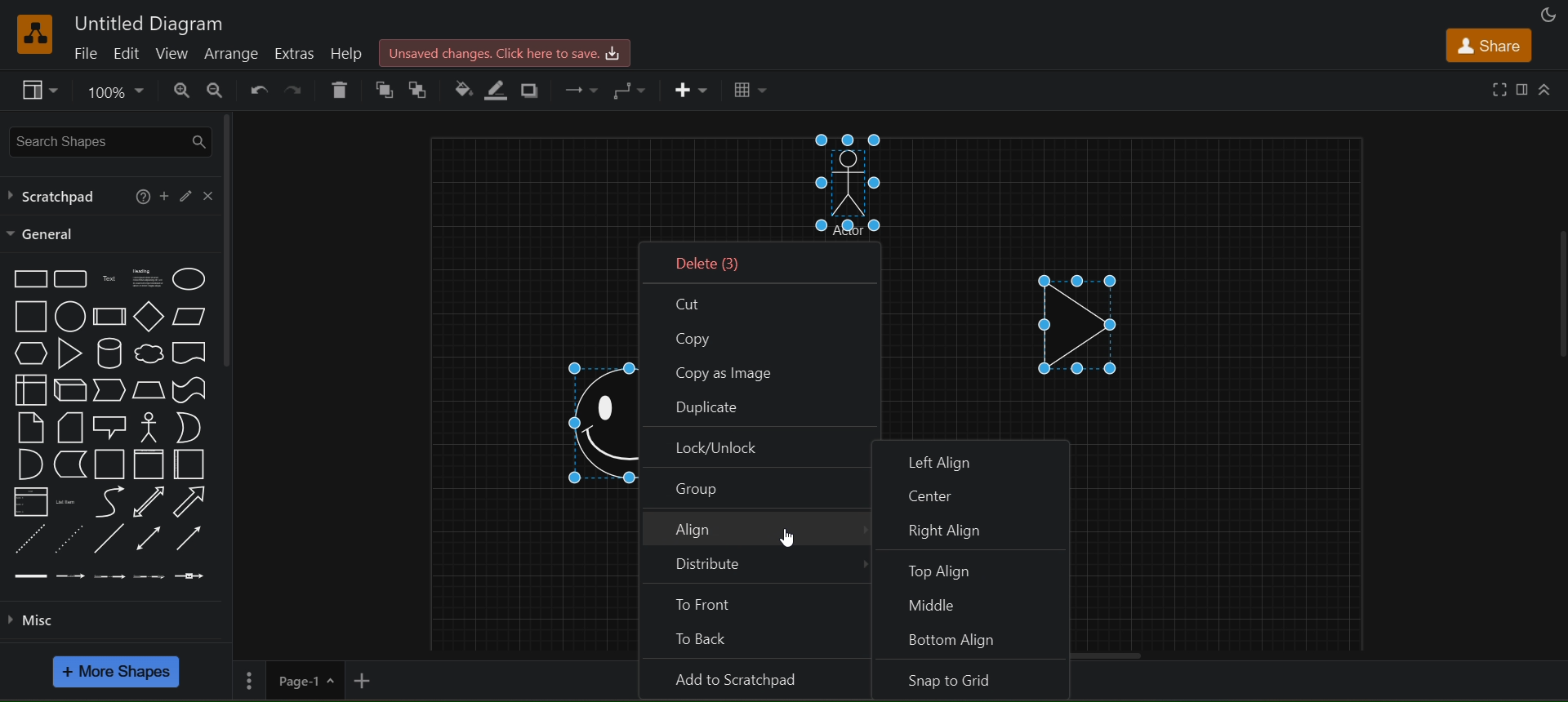 Image resolution: width=1568 pixels, height=702 pixels. Describe the element at coordinates (26, 389) in the screenshot. I see `internal storage` at that location.